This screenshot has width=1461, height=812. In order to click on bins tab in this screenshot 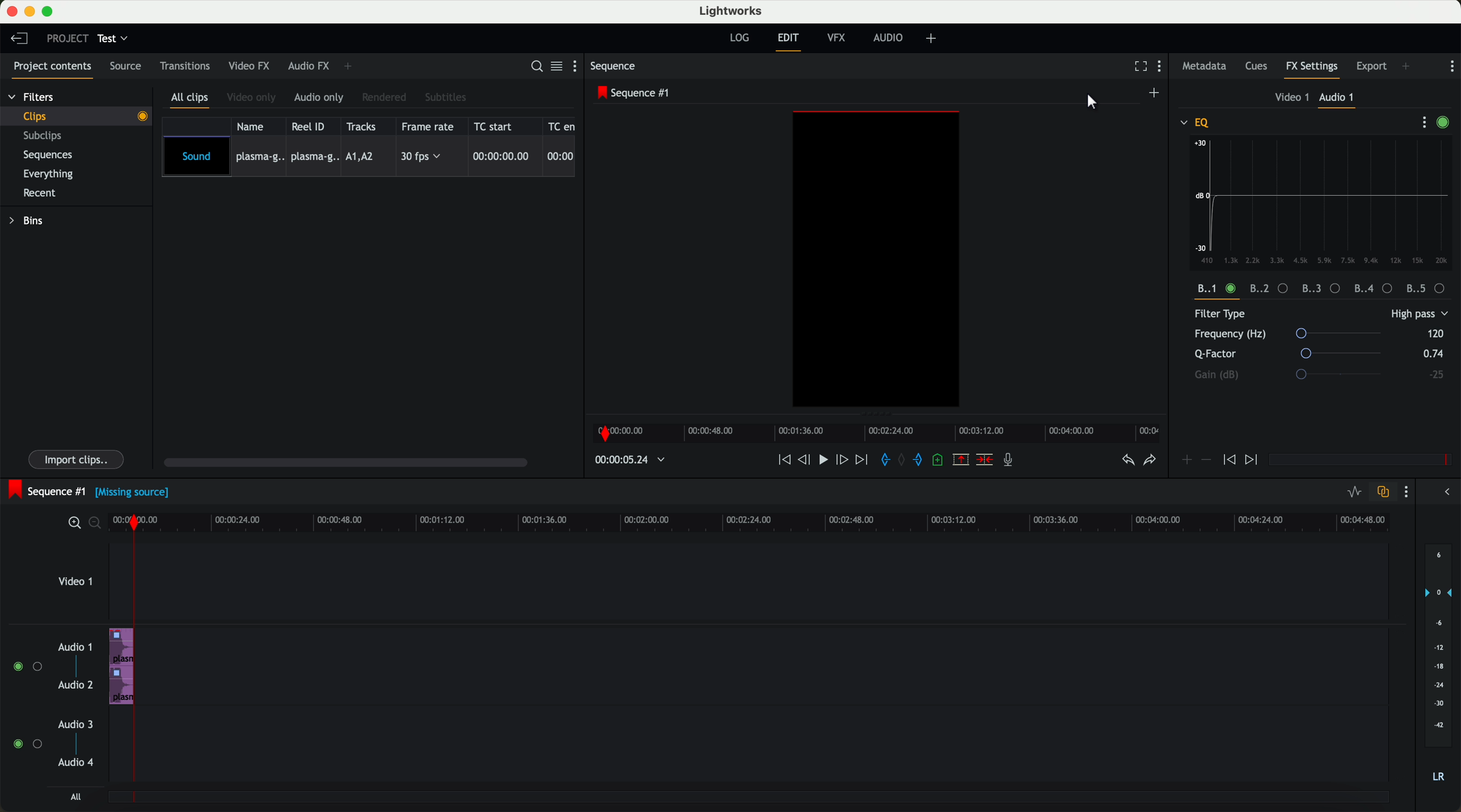, I will do `click(30, 222)`.